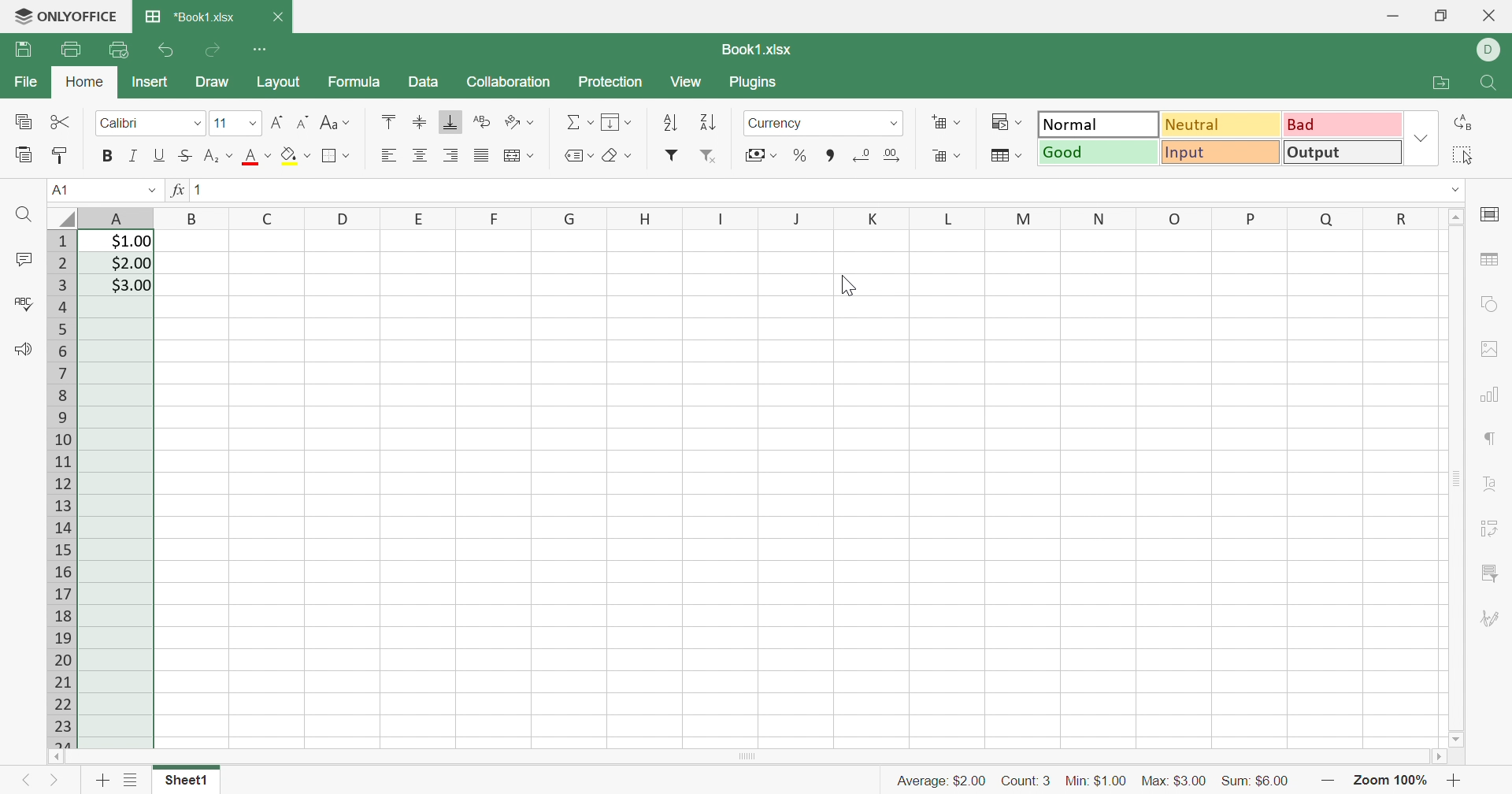 The width and height of the screenshot is (1512, 794). Describe the element at coordinates (847, 284) in the screenshot. I see `Cursor` at that location.